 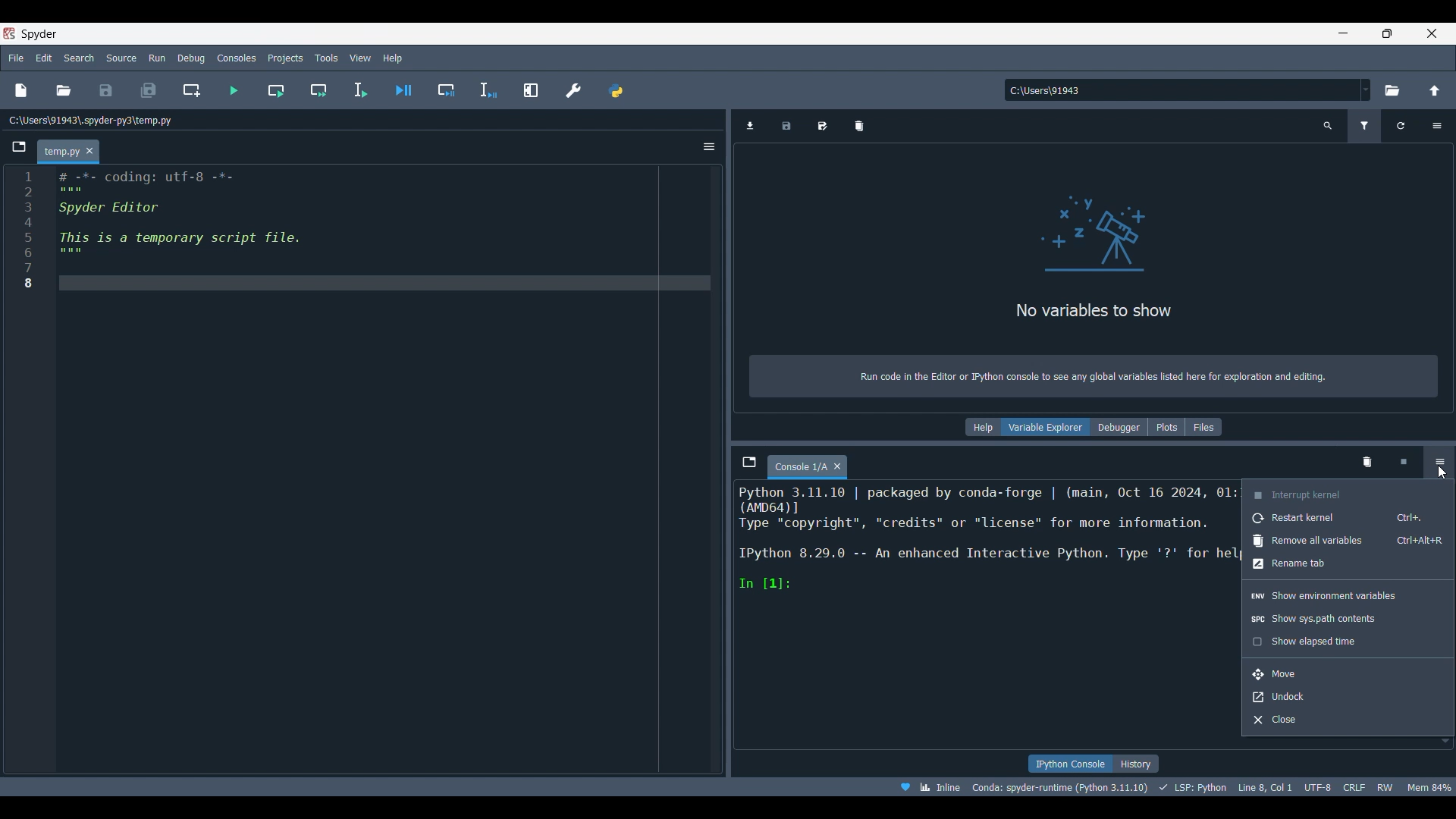 I want to click on View menu, so click(x=361, y=58).